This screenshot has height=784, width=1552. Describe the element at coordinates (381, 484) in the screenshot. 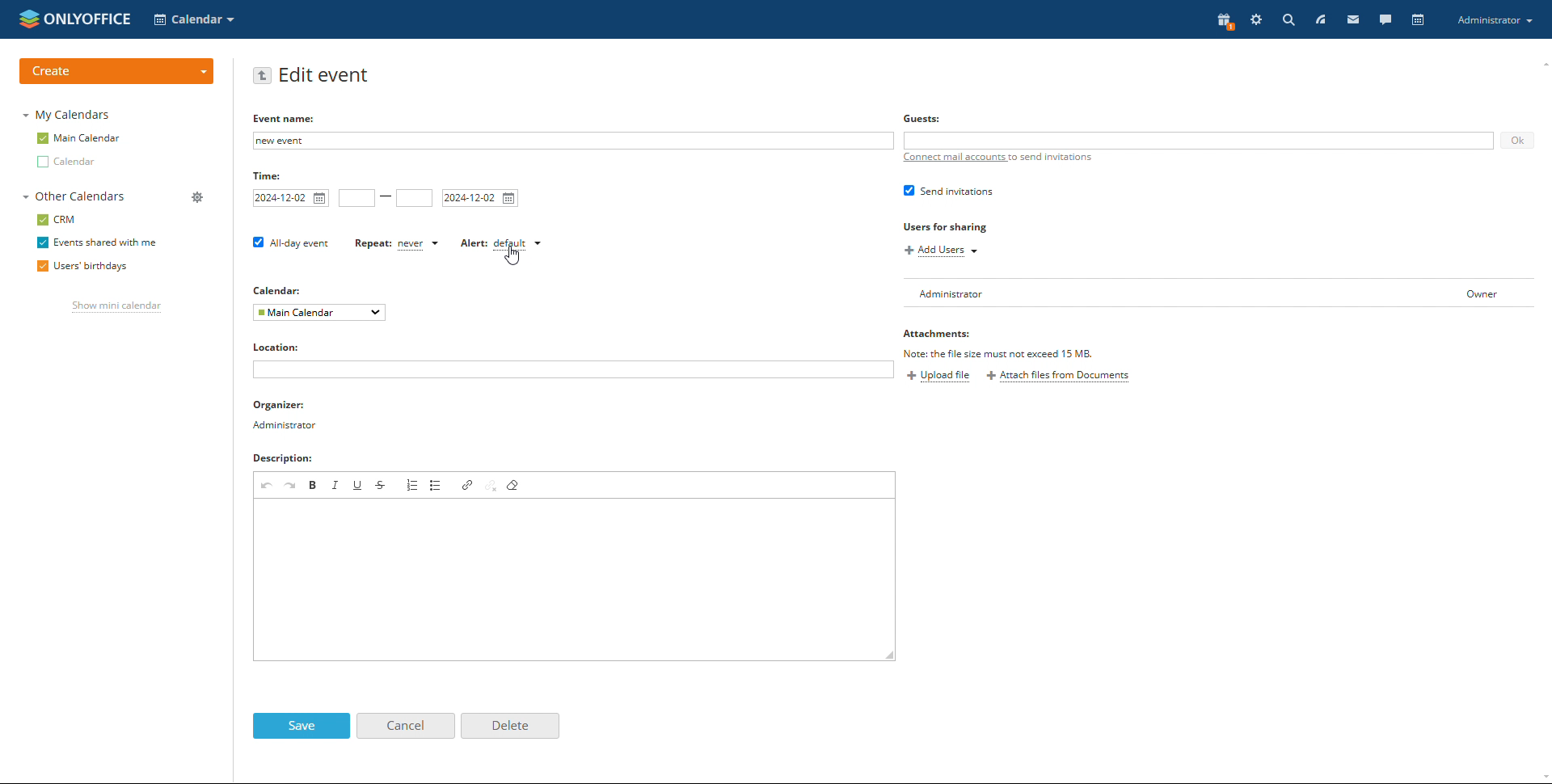

I see `strikethrough` at that location.